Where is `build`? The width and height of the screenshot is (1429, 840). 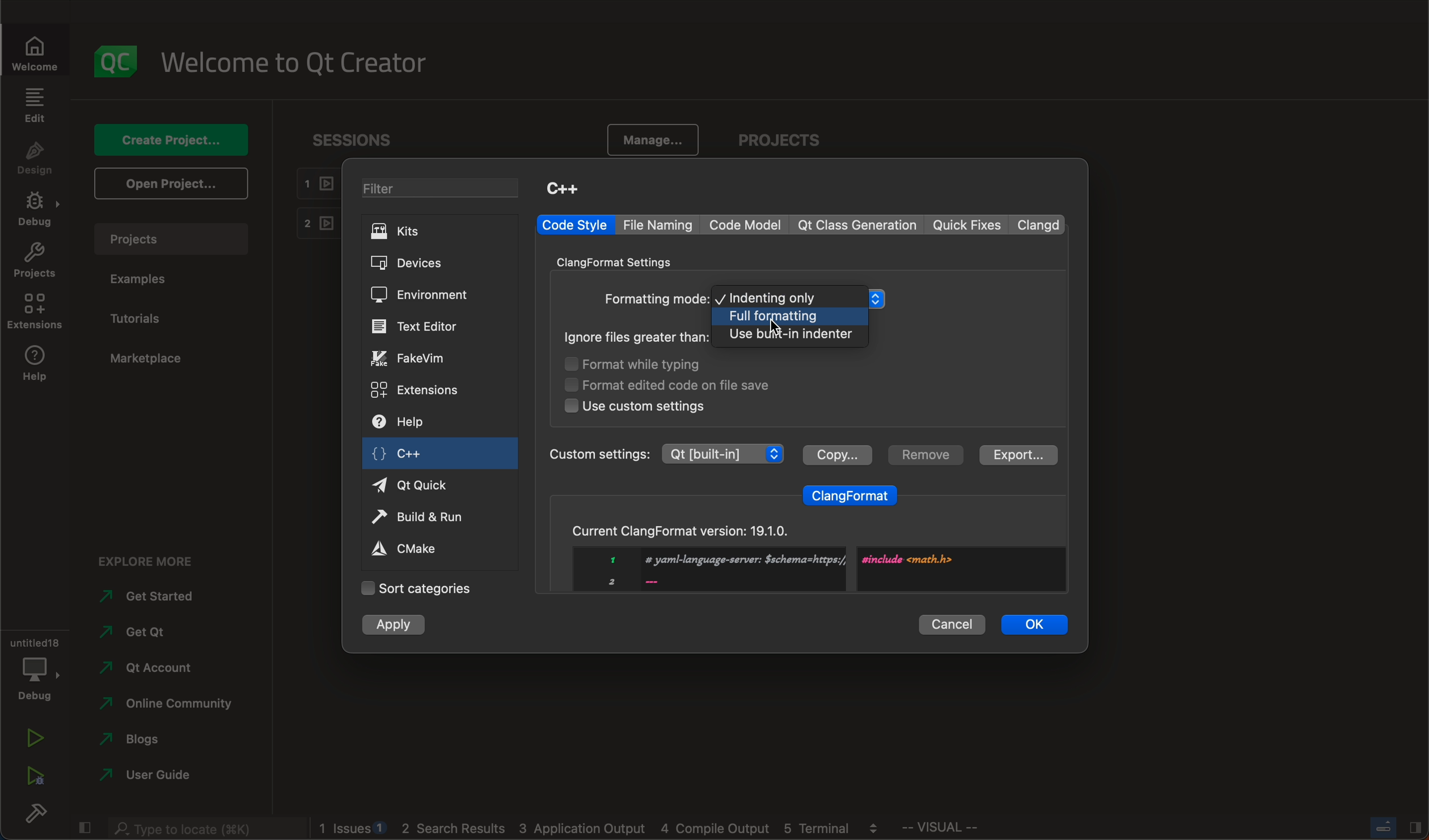
build is located at coordinates (34, 816).